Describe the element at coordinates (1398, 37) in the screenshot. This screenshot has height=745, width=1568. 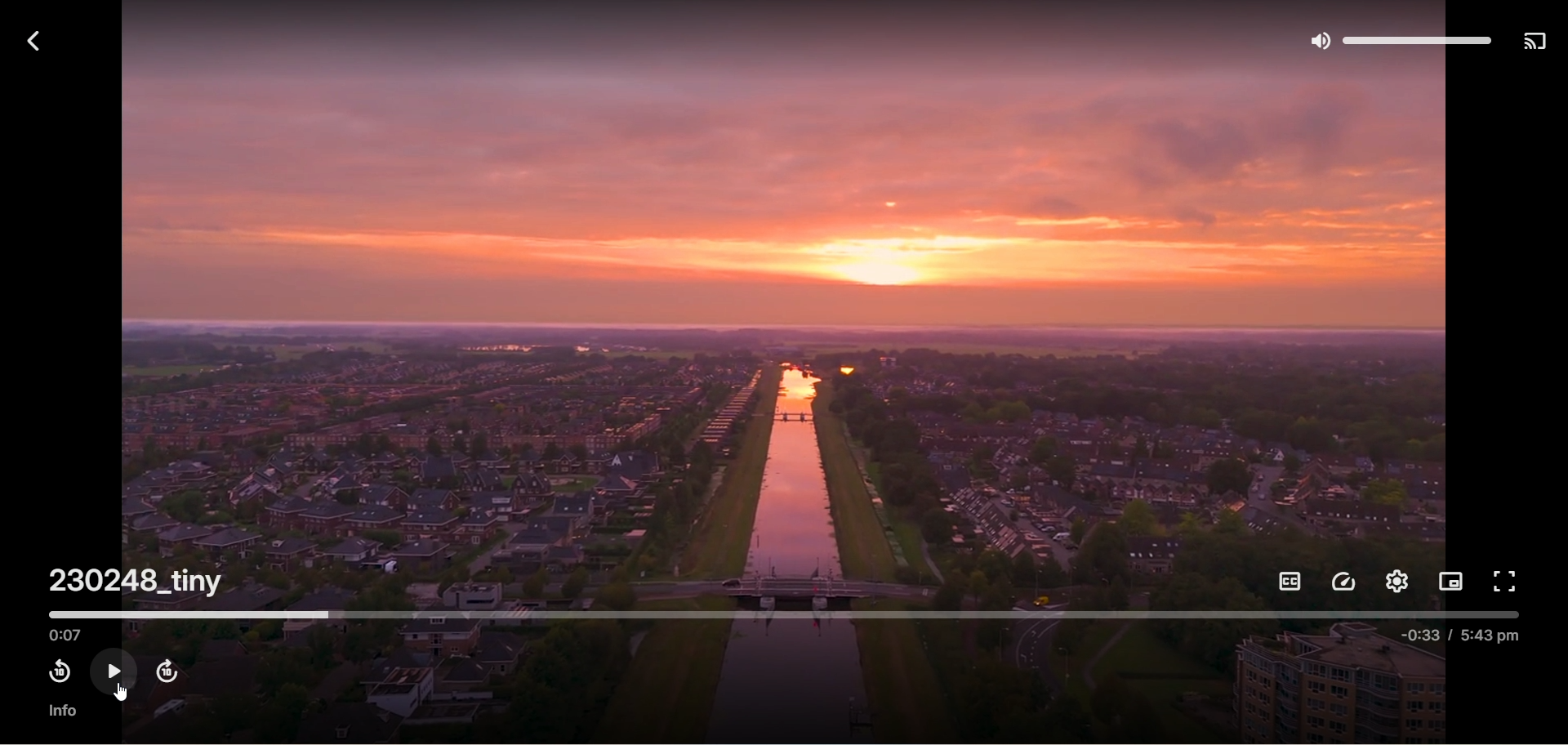
I see `Volume` at that location.